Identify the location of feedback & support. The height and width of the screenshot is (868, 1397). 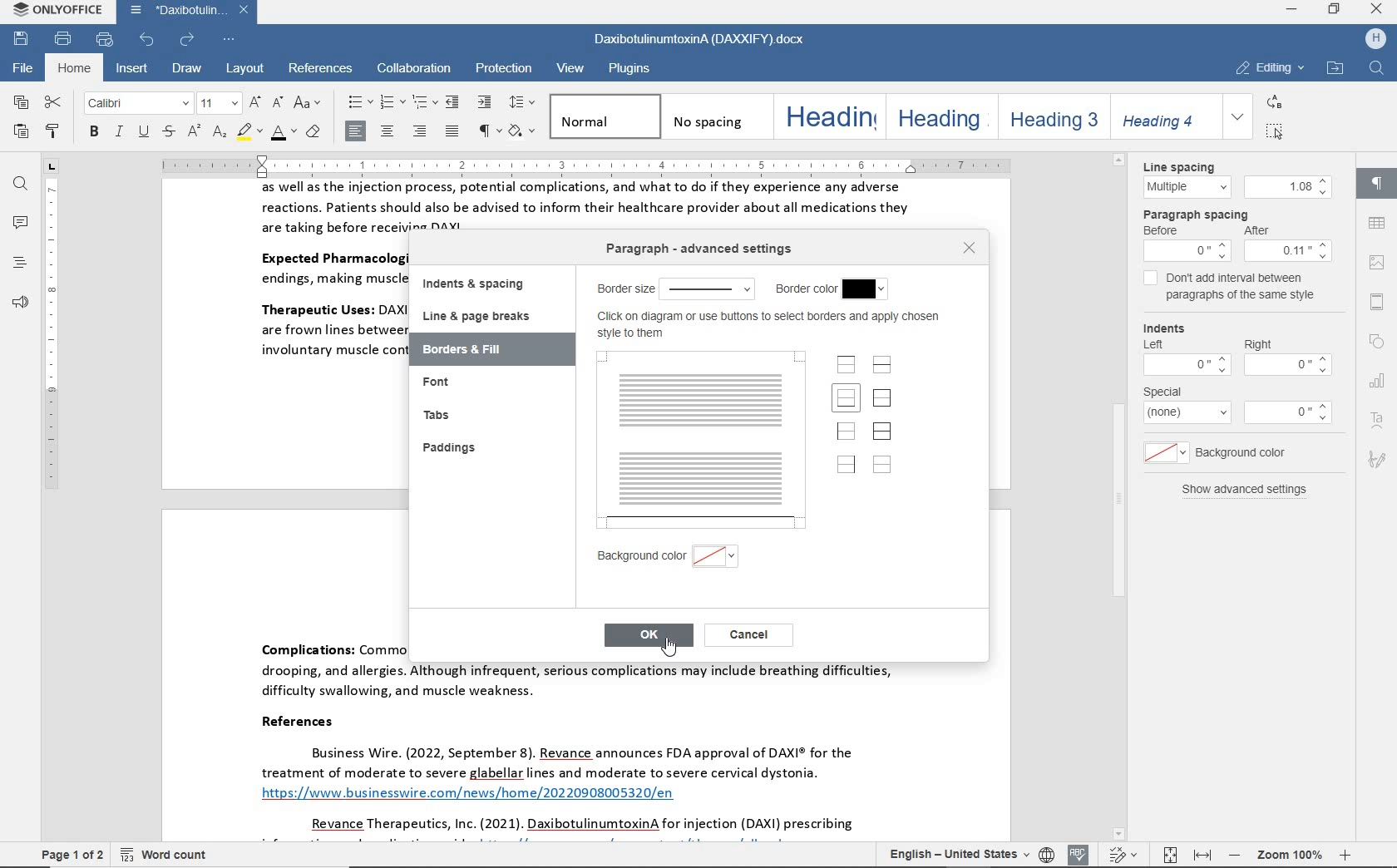
(17, 303).